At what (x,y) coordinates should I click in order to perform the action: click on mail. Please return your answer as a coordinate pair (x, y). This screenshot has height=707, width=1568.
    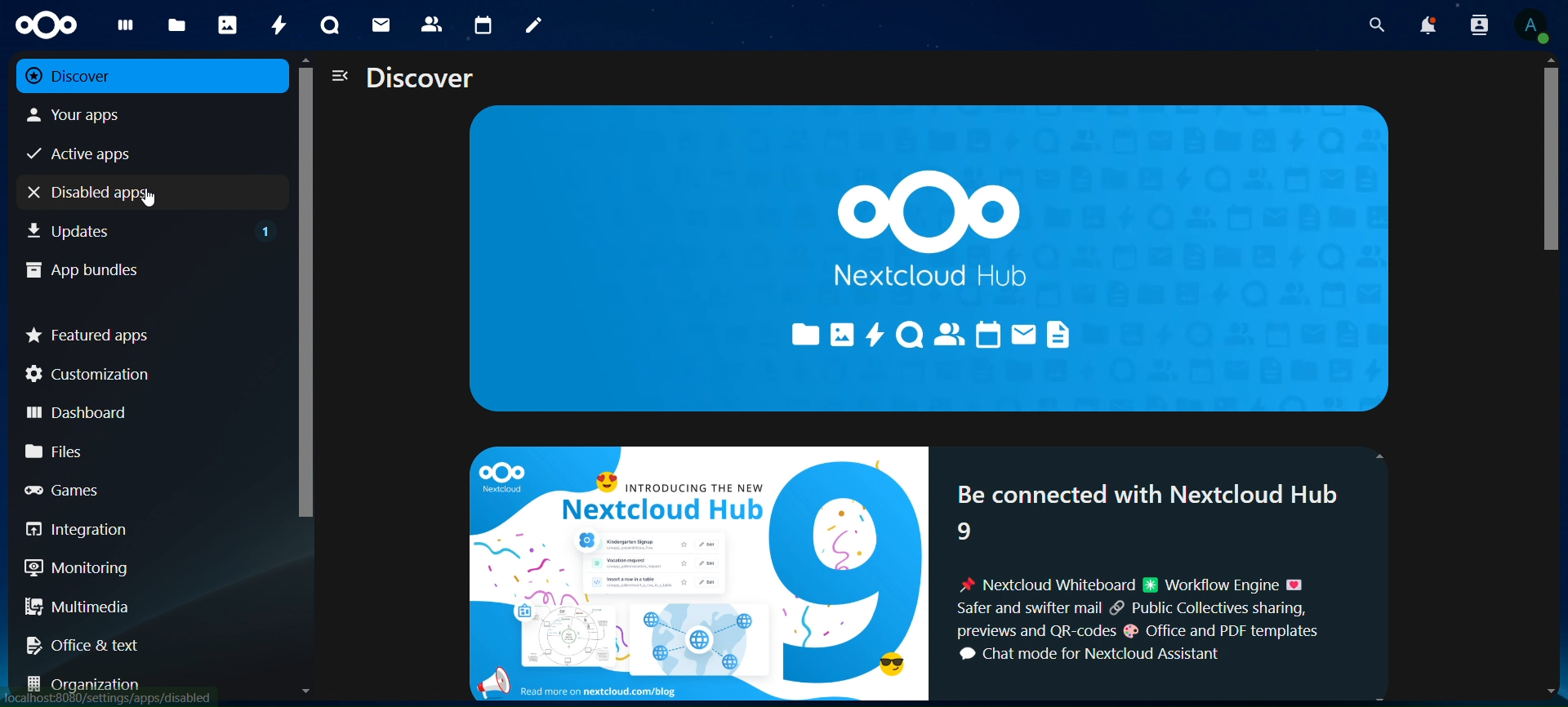
    Looking at the image, I should click on (381, 23).